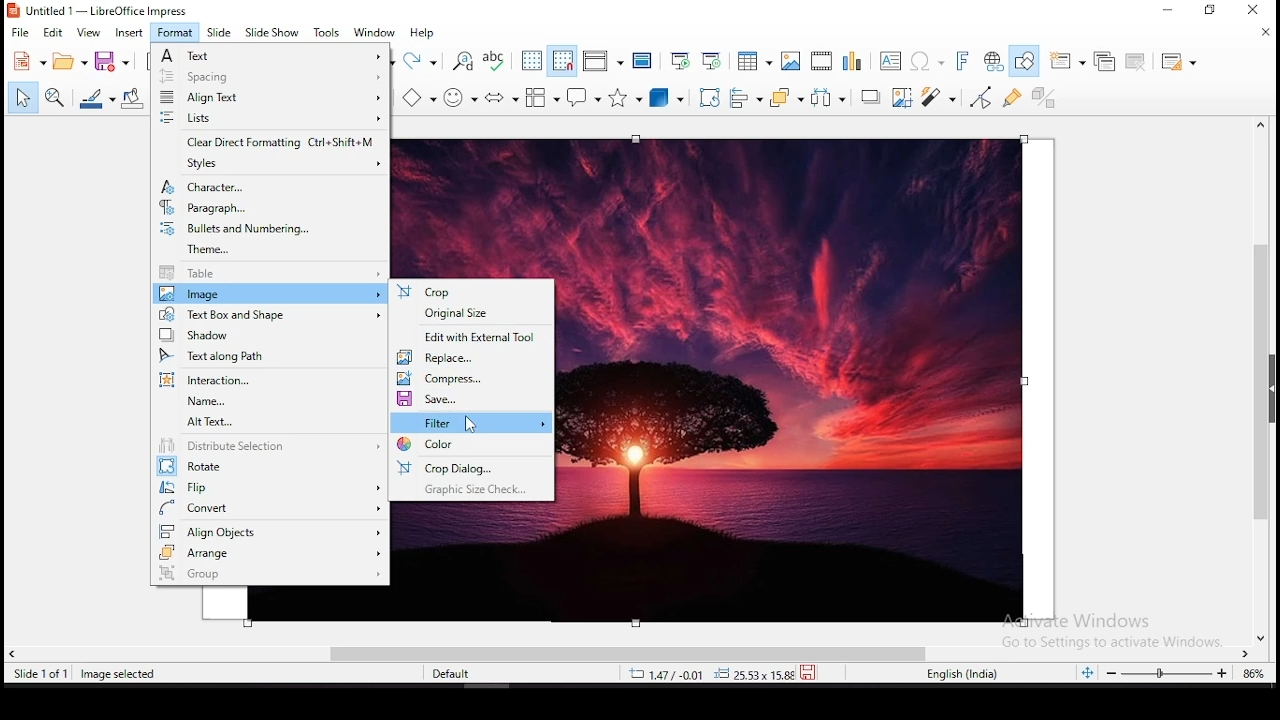  I want to click on slide 1 of 1, so click(44, 674).